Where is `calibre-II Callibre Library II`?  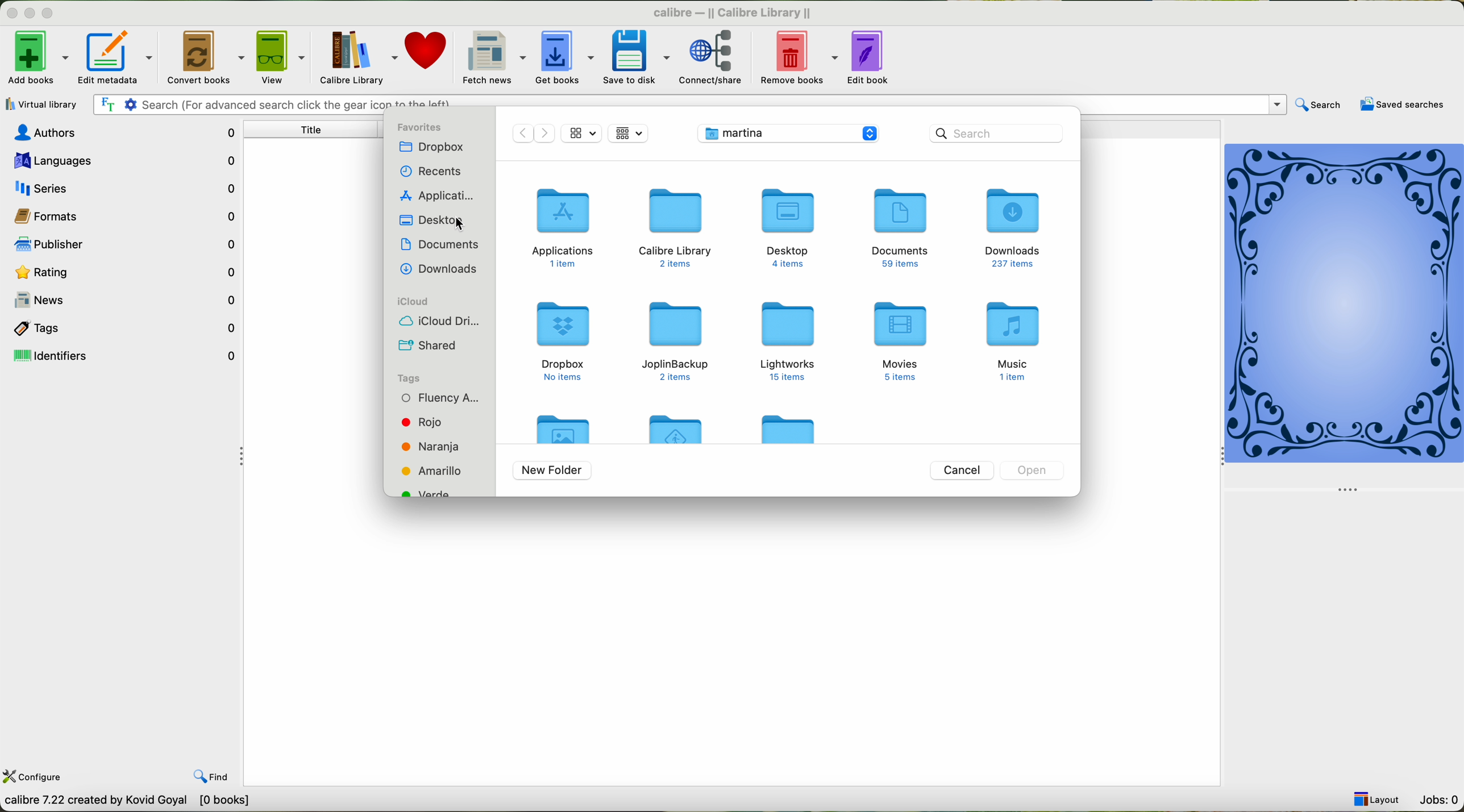
calibre-II Callibre Library II is located at coordinates (728, 11).